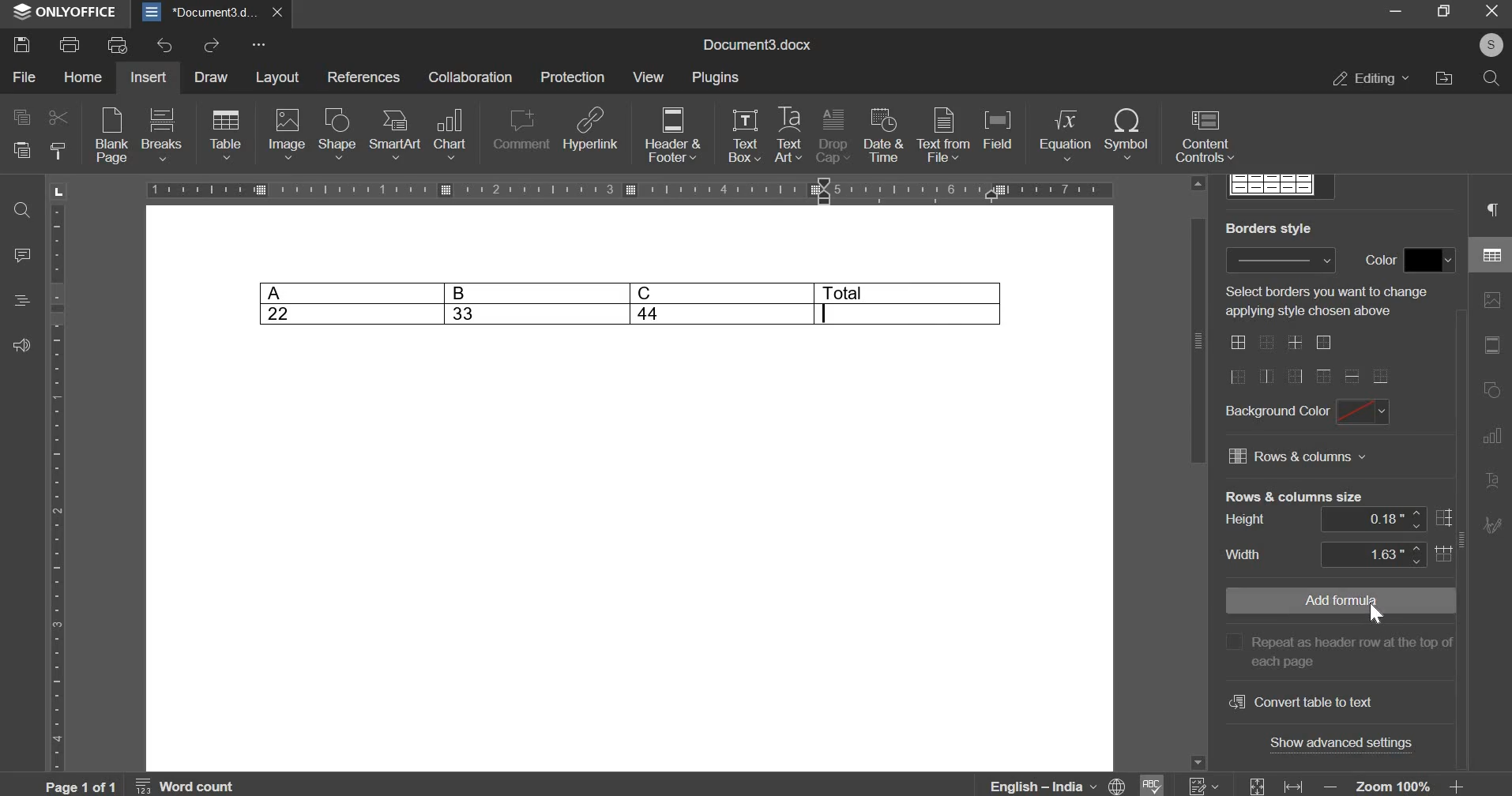 The image size is (1512, 796). Describe the element at coordinates (212, 77) in the screenshot. I see `draw` at that location.